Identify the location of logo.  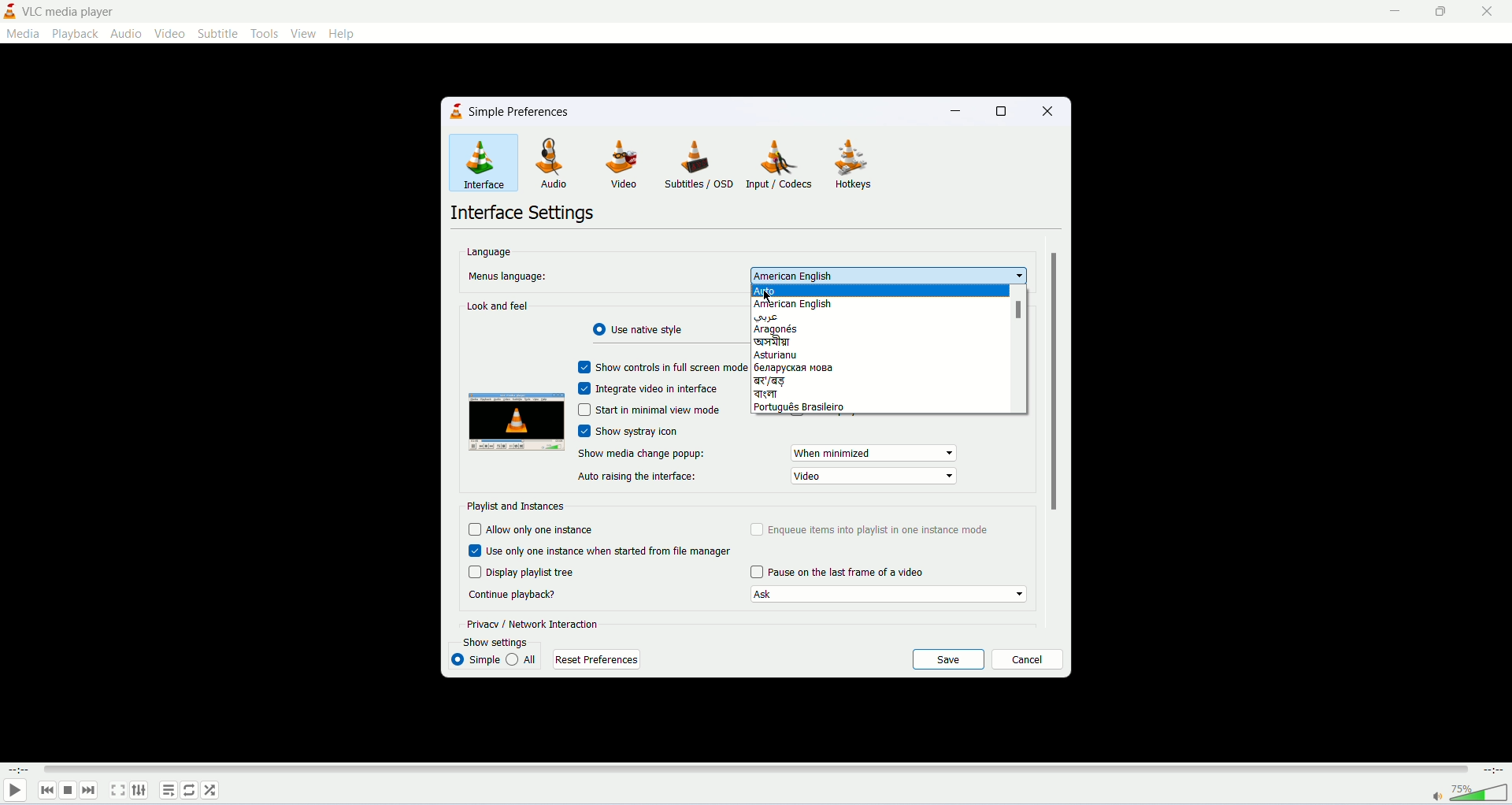
(456, 112).